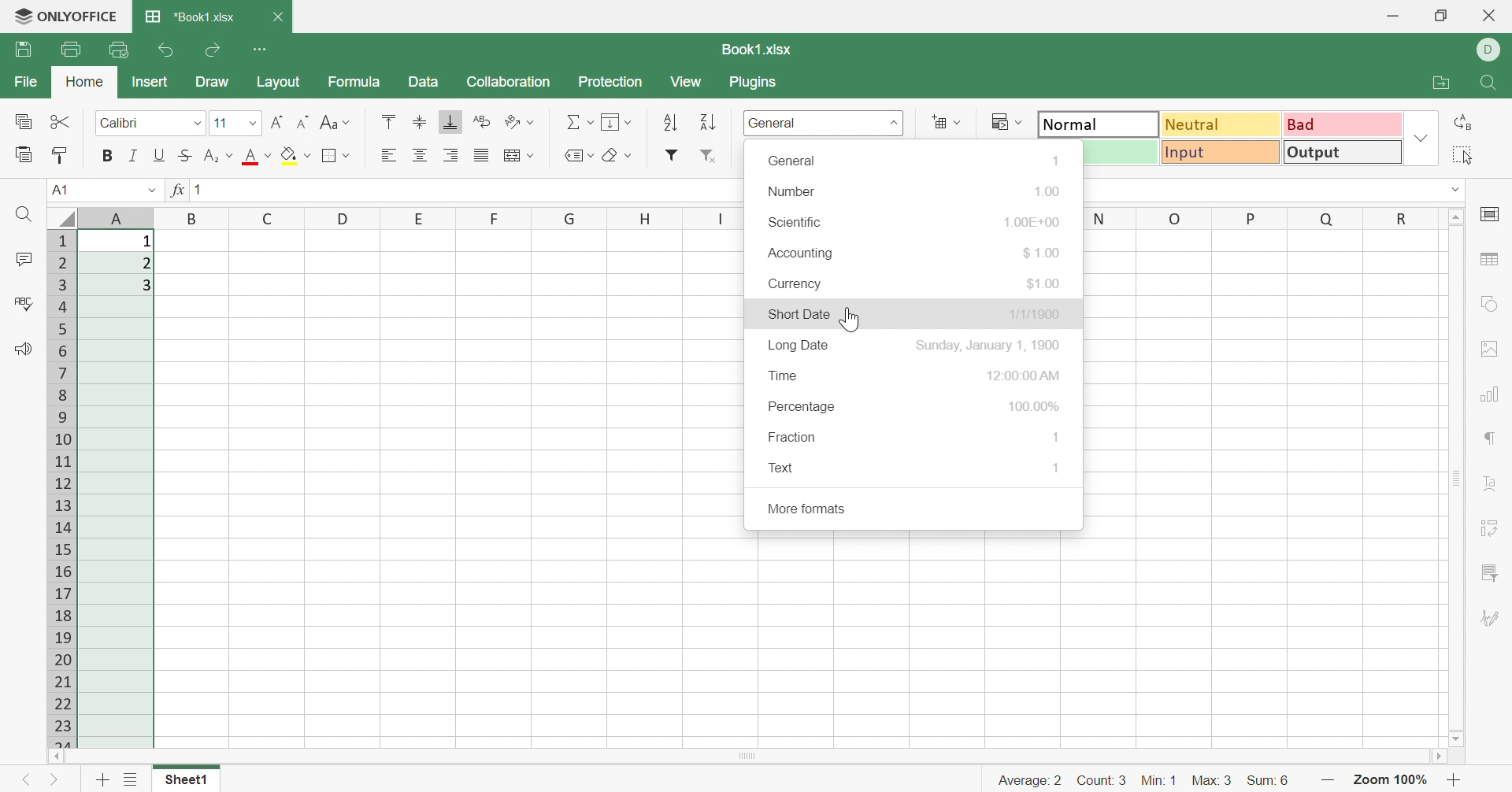 The image size is (1512, 792). What do you see at coordinates (339, 154) in the screenshot?
I see `Border` at bounding box center [339, 154].